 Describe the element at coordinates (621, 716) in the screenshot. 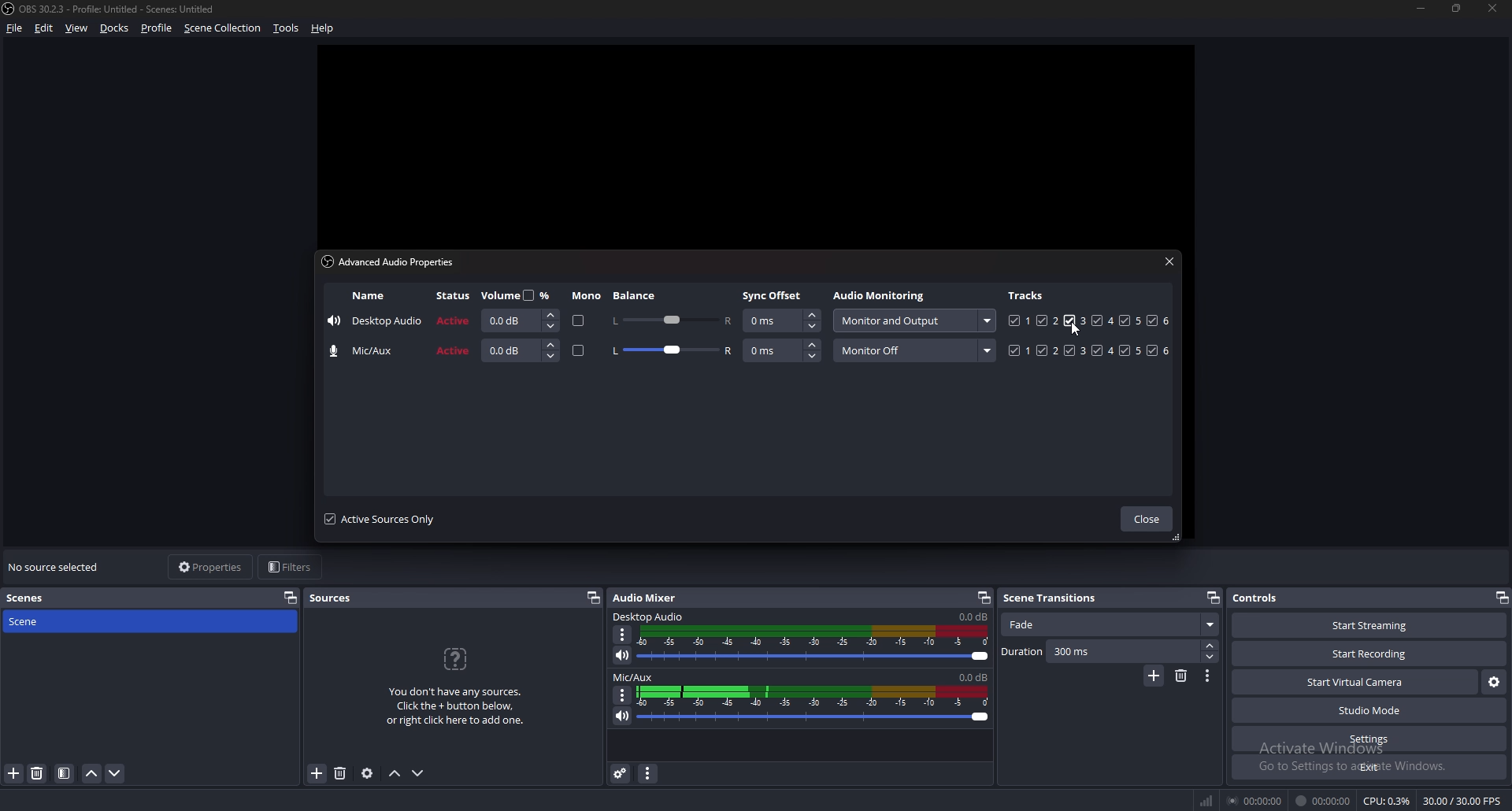

I see `mute` at that location.